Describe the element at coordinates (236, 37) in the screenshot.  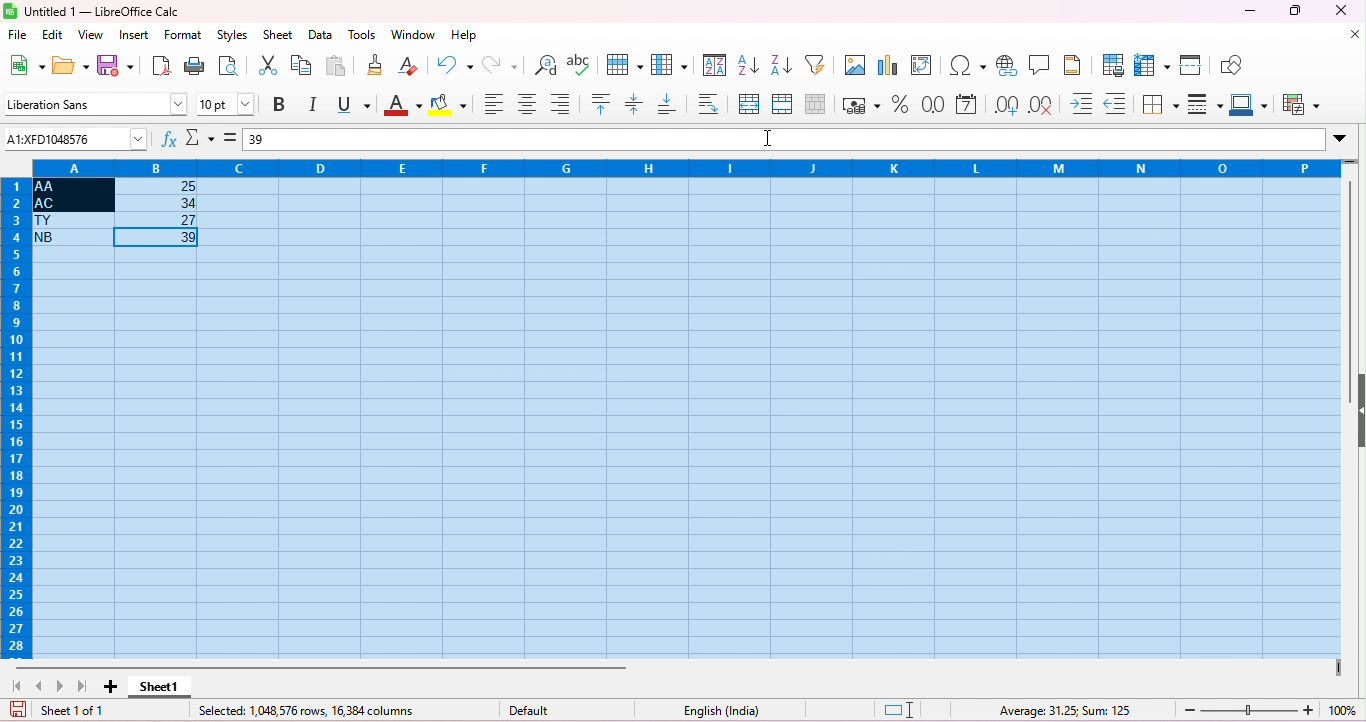
I see `styles` at that location.